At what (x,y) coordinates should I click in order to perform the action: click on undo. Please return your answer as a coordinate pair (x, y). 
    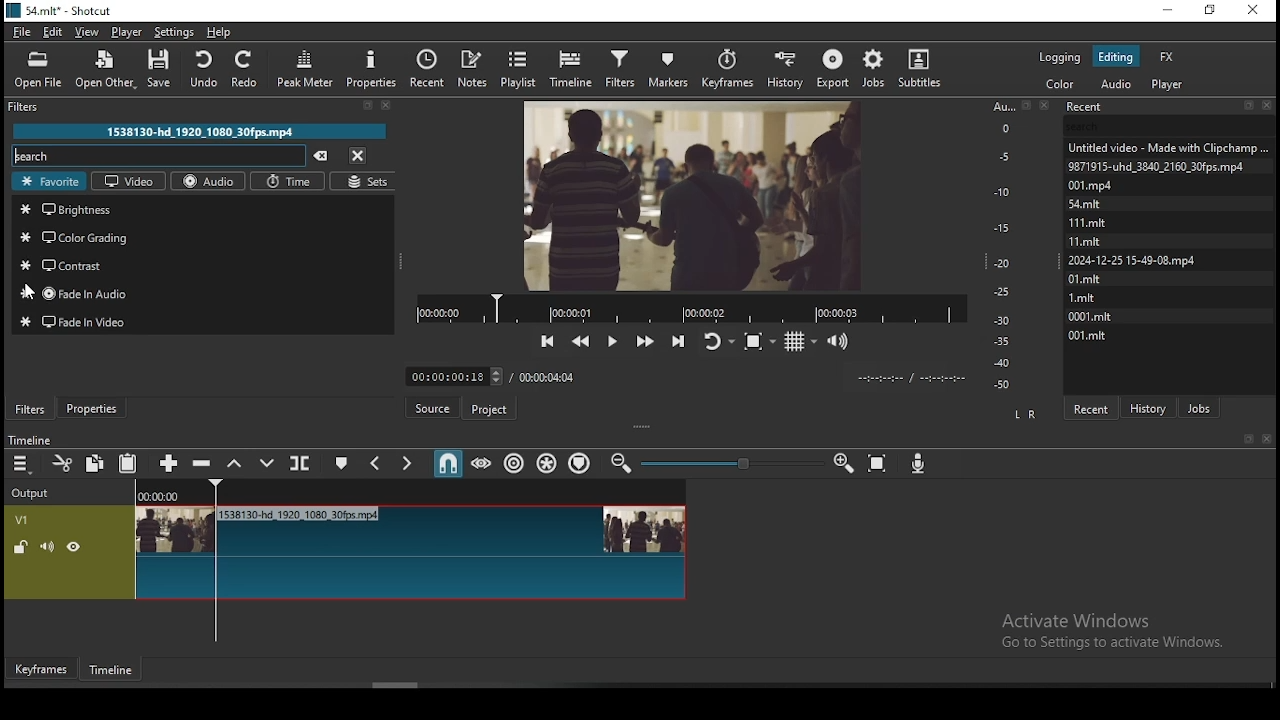
    Looking at the image, I should click on (206, 69).